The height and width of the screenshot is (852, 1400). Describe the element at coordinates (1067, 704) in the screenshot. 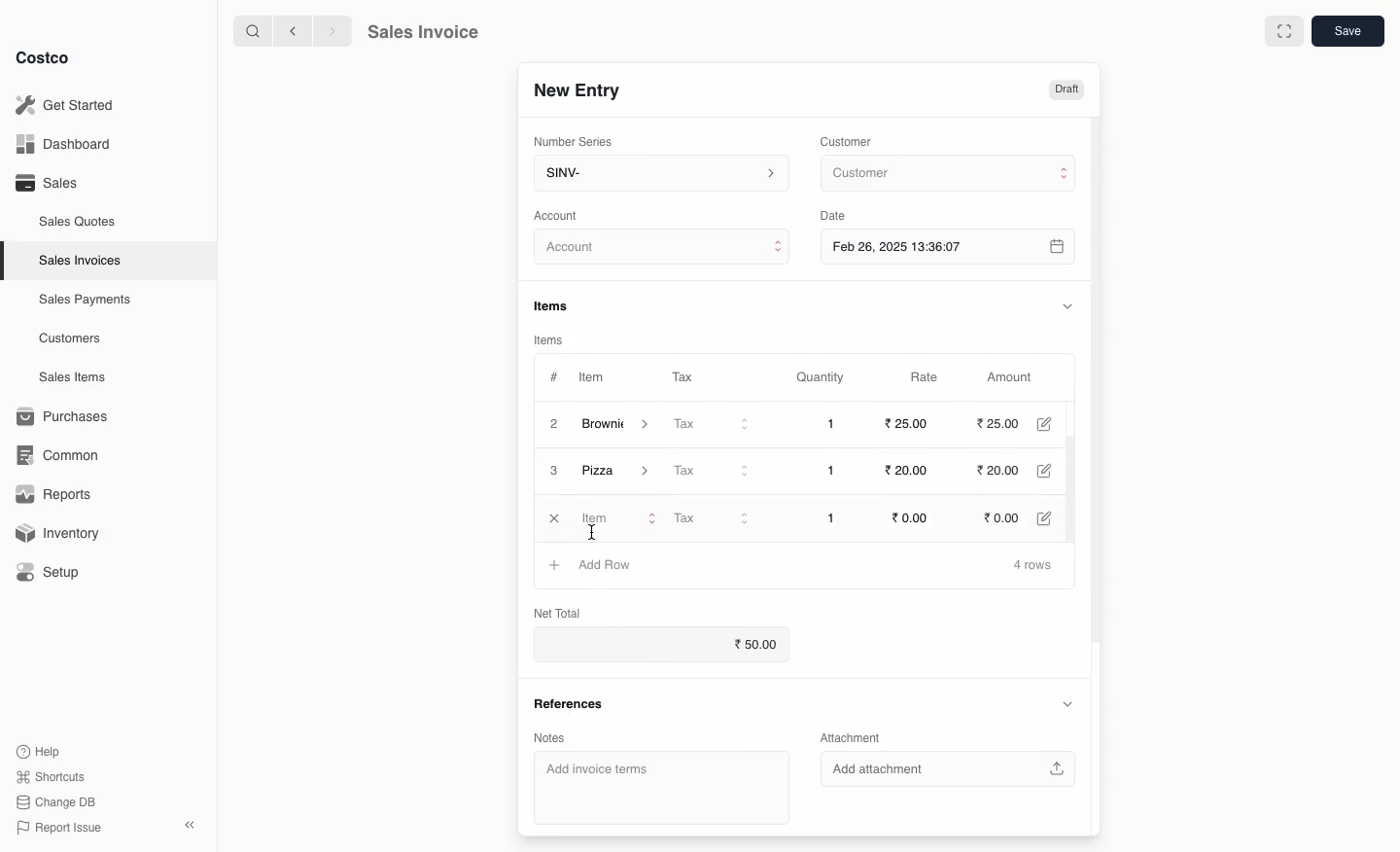

I see `Hide` at that location.